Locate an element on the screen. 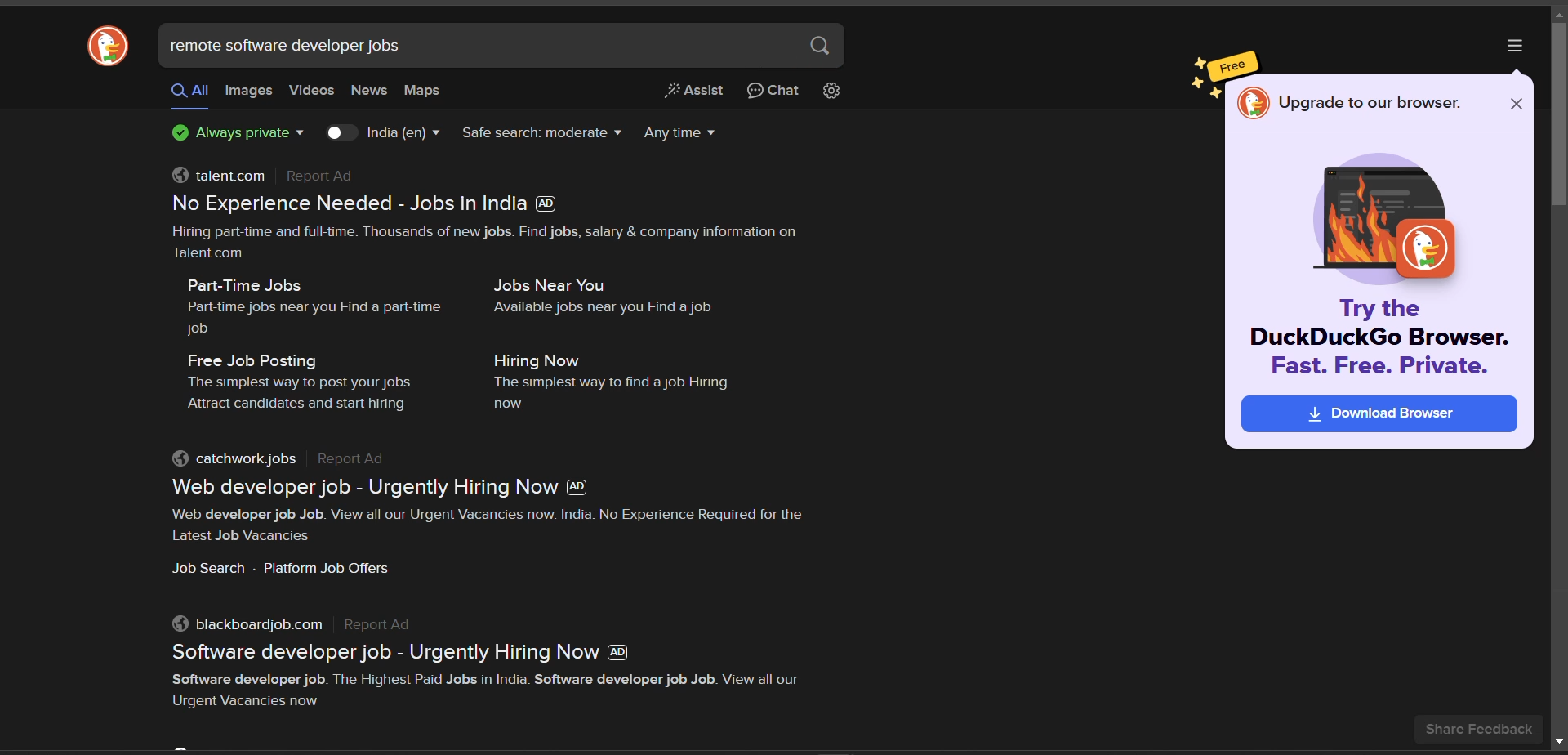 Image resolution: width=1568 pixels, height=755 pixels. Web developer job - Urgently Hiring Now is located at coordinates (394, 487).